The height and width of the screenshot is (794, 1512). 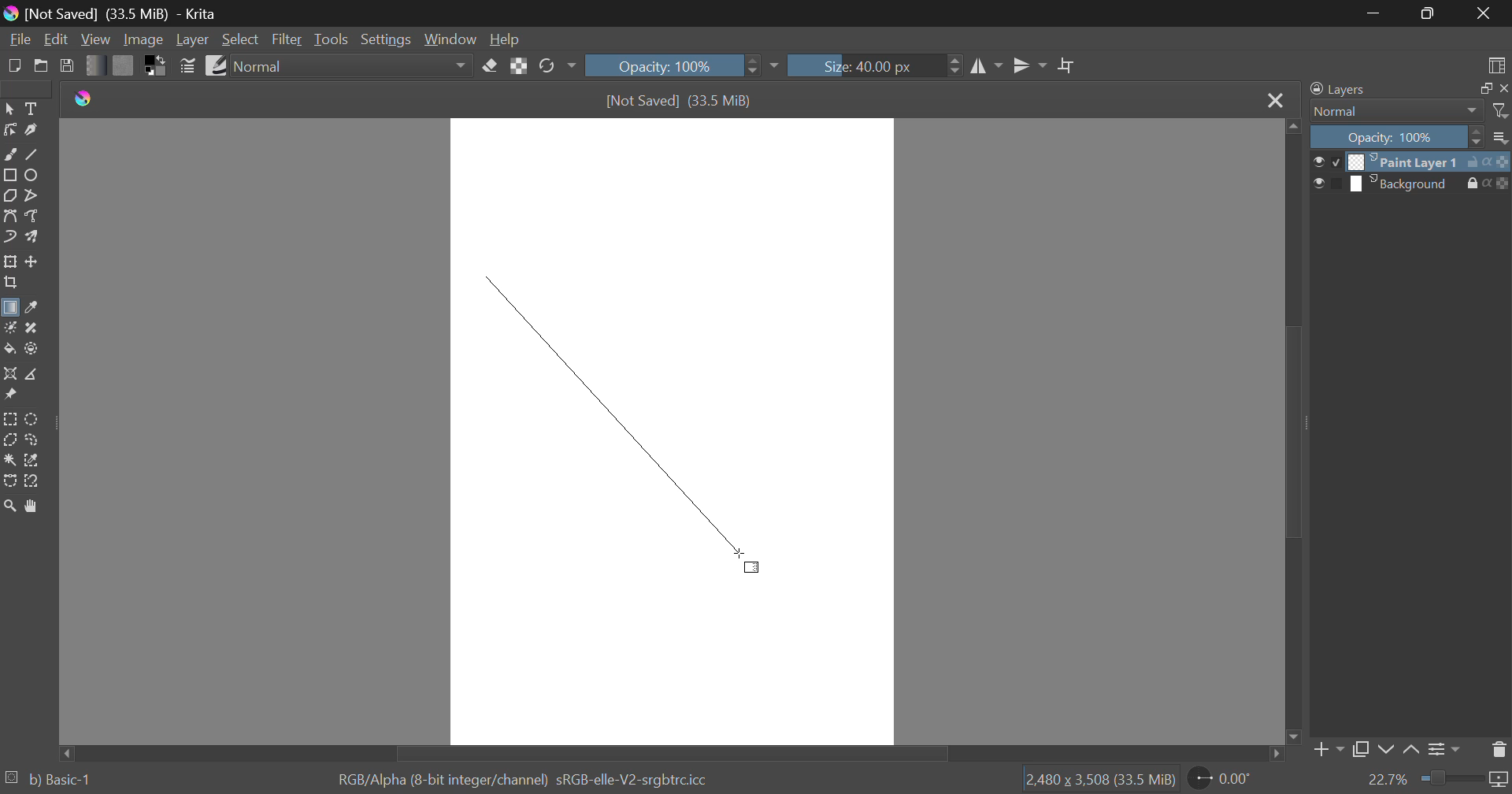 What do you see at coordinates (1067, 66) in the screenshot?
I see `Crop` at bounding box center [1067, 66].